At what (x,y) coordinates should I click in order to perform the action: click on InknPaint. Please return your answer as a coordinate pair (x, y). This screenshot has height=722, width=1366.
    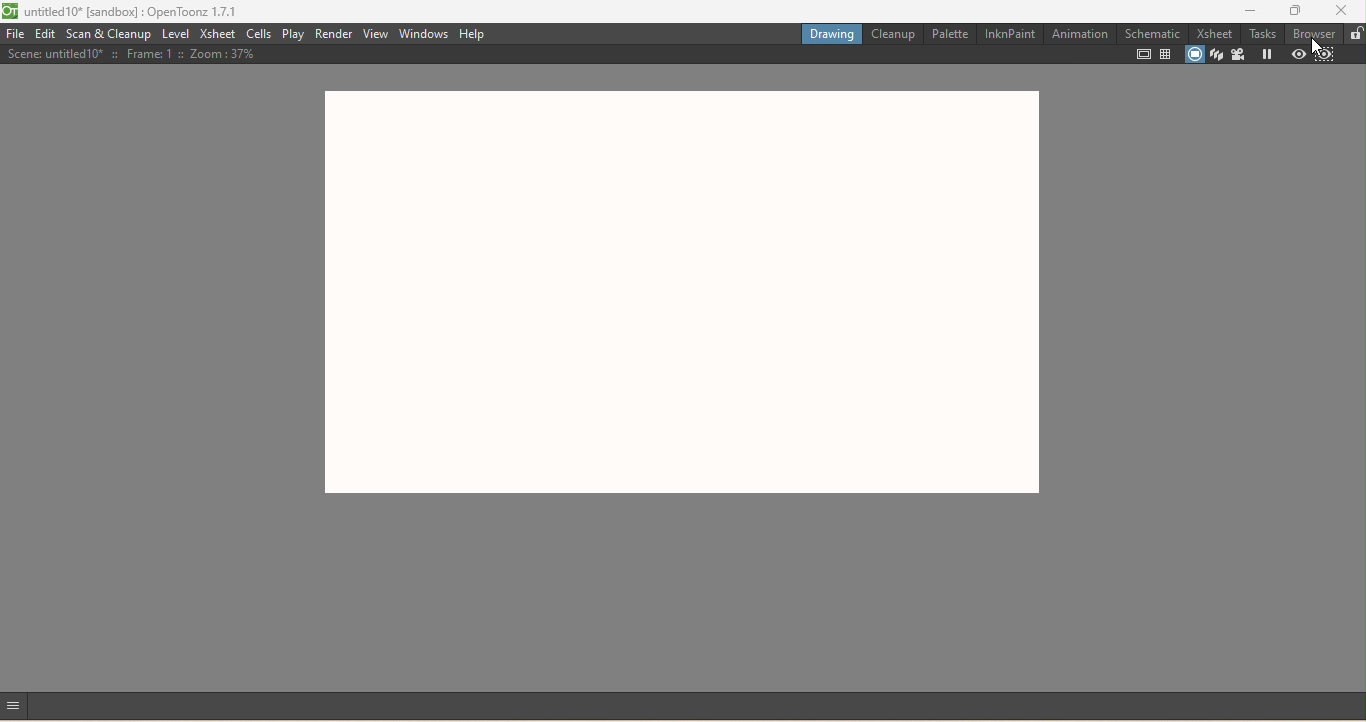
    Looking at the image, I should click on (1012, 34).